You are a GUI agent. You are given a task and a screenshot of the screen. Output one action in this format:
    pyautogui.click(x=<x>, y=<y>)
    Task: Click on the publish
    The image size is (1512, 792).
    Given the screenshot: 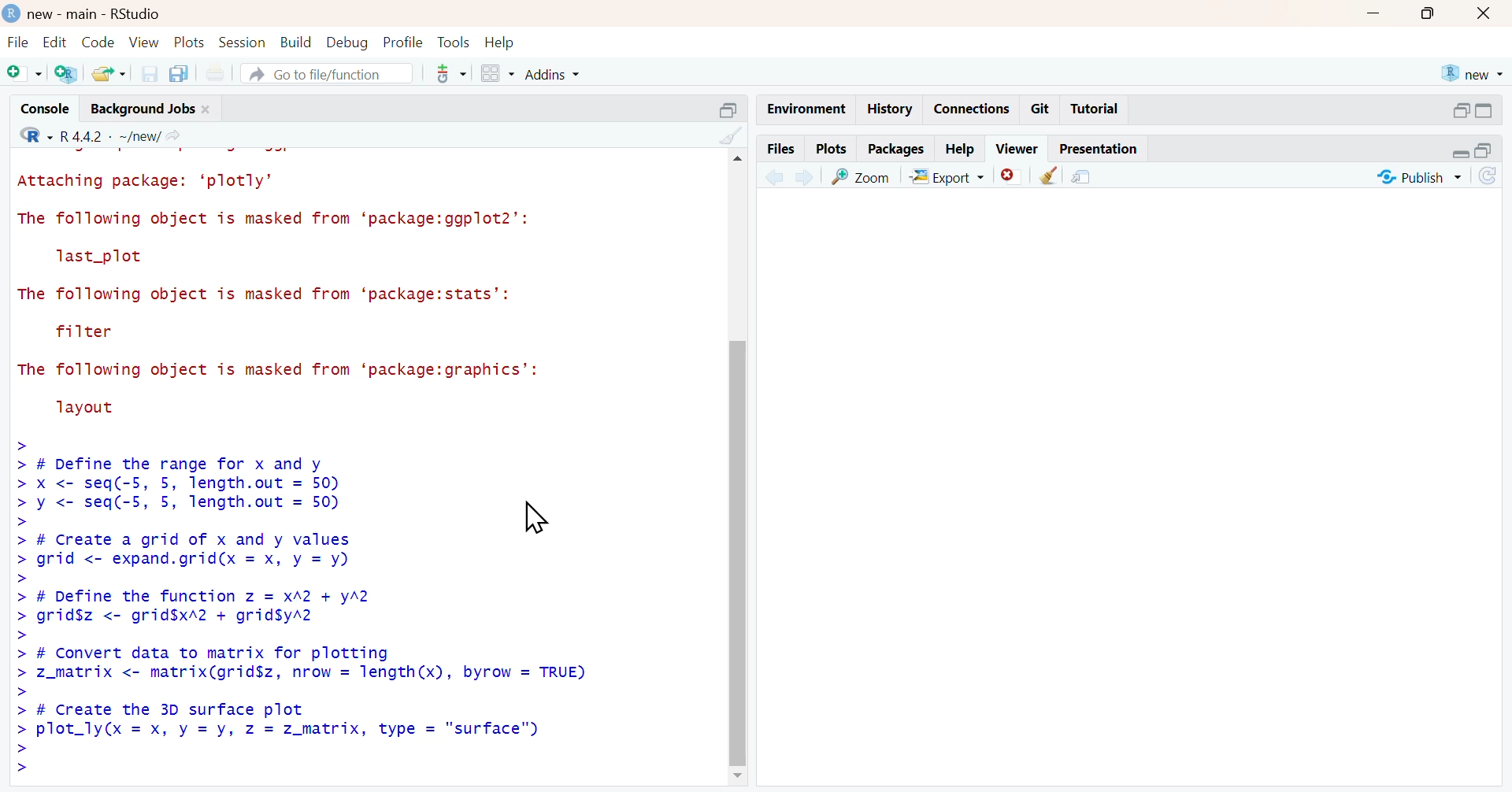 What is the action you would take?
    pyautogui.click(x=1417, y=179)
    